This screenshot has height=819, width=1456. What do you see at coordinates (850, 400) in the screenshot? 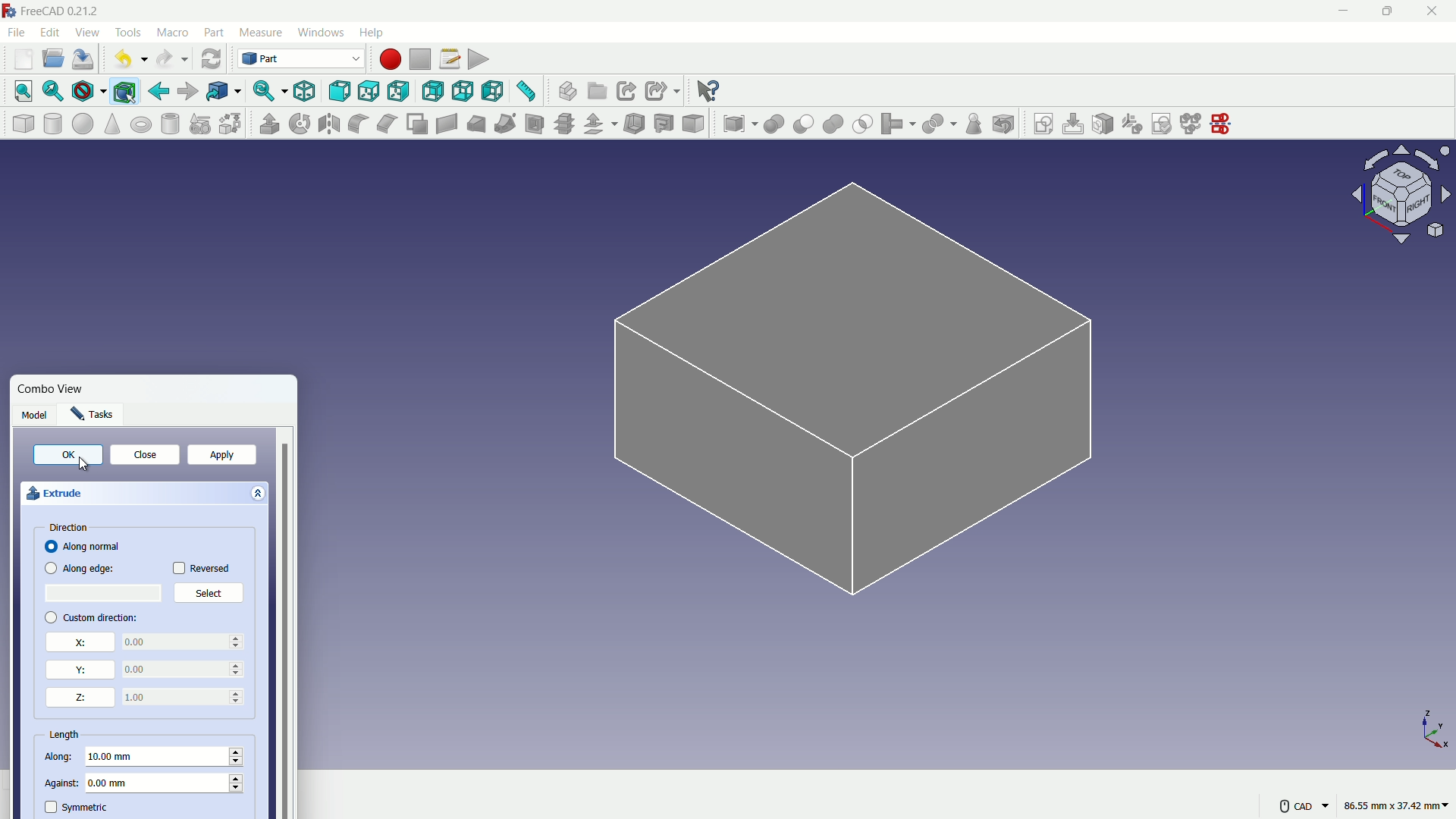
I see `sketch` at bounding box center [850, 400].